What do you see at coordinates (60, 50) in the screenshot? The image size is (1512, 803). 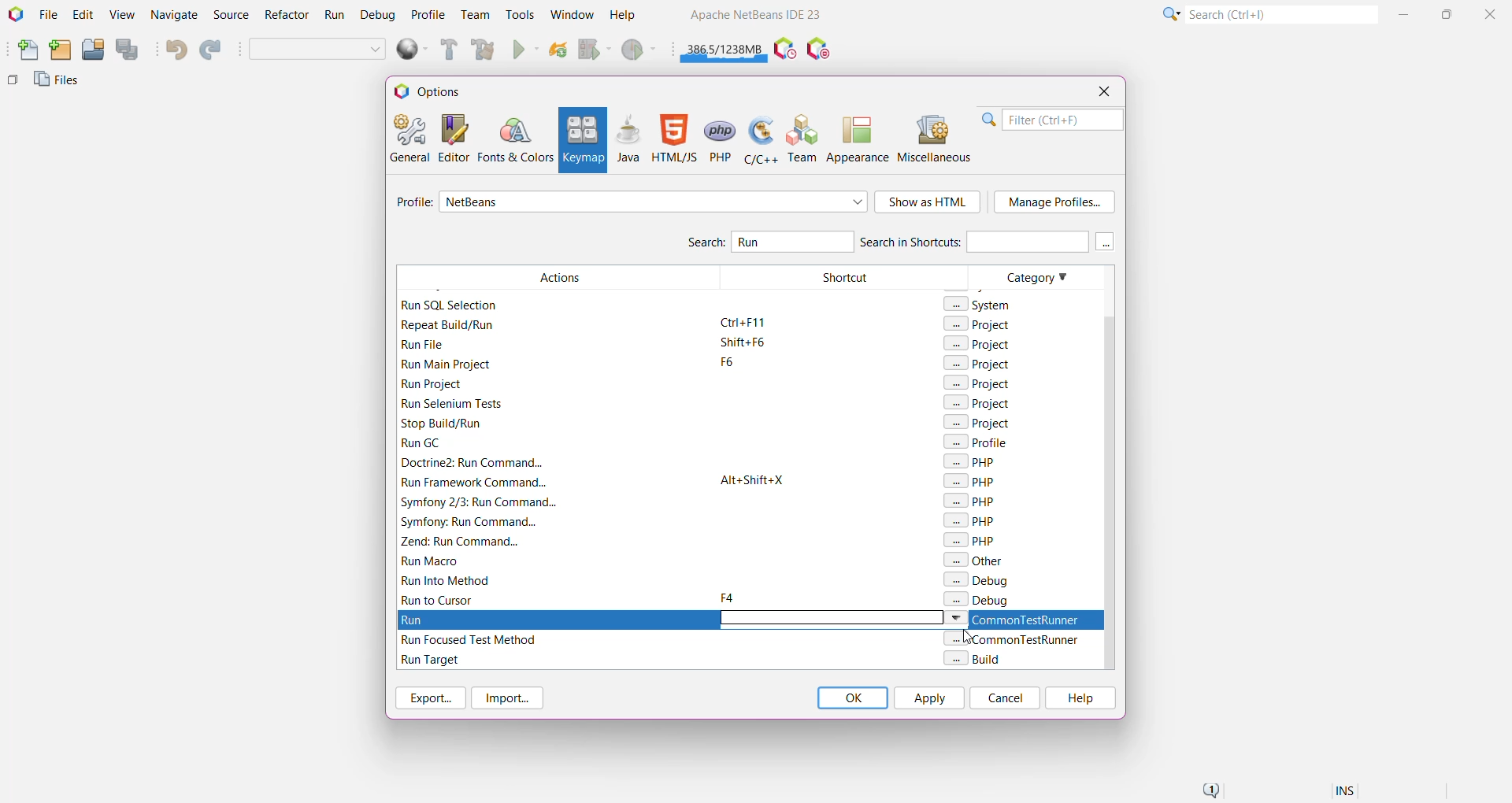 I see `New Project` at bounding box center [60, 50].